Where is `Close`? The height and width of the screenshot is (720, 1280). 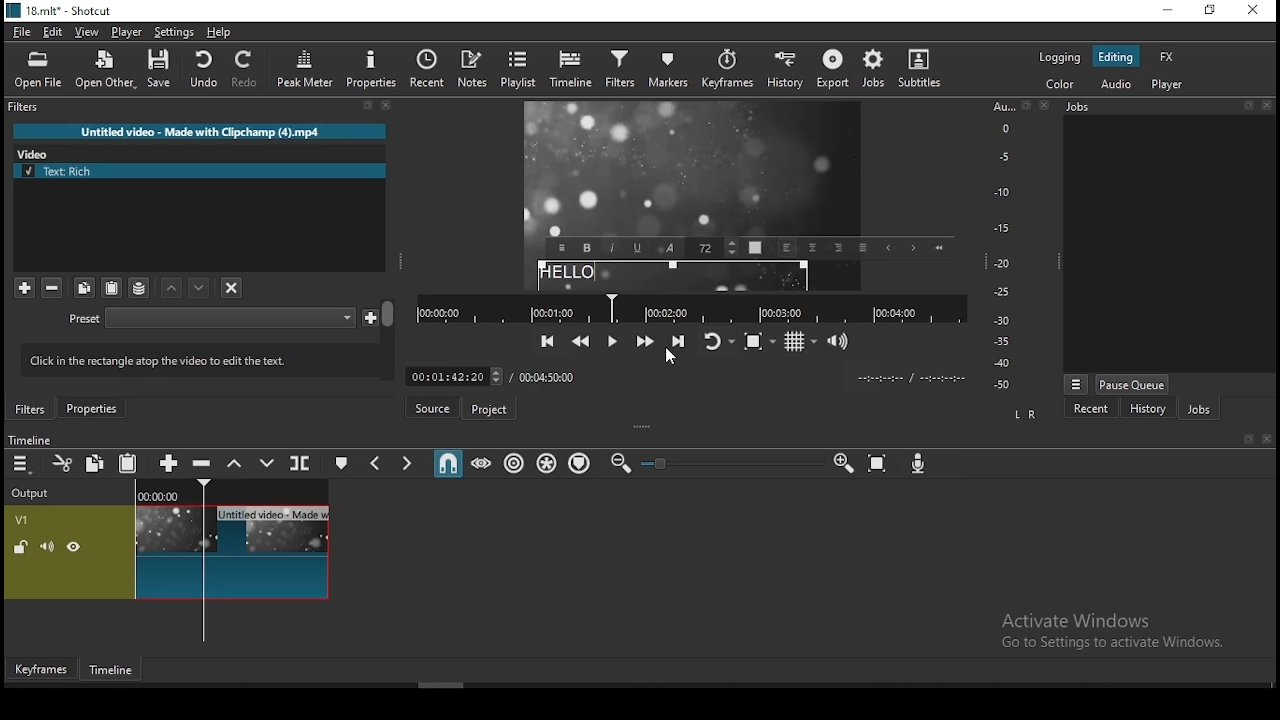
Close is located at coordinates (387, 105).